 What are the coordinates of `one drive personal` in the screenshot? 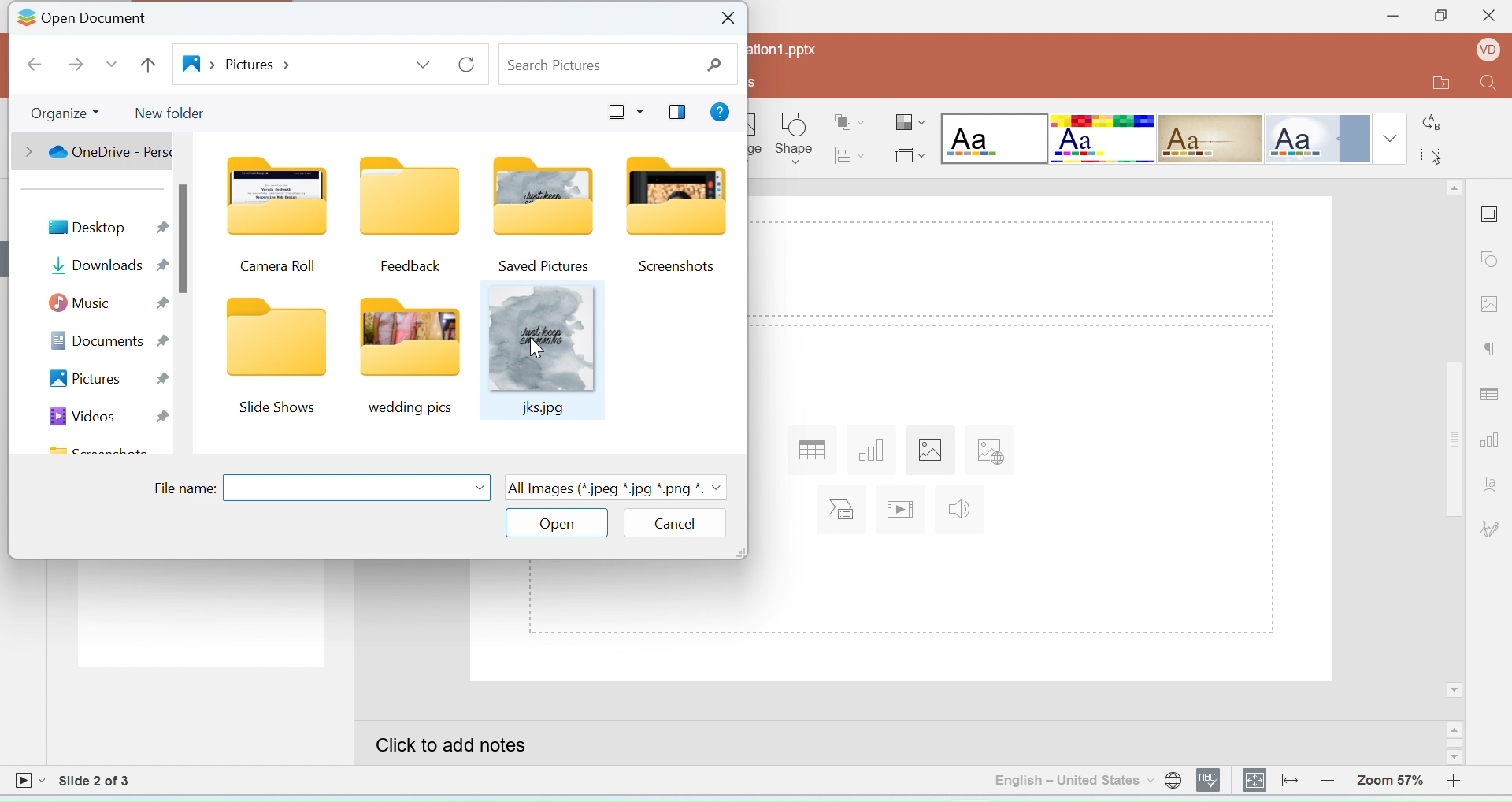 It's located at (98, 152).